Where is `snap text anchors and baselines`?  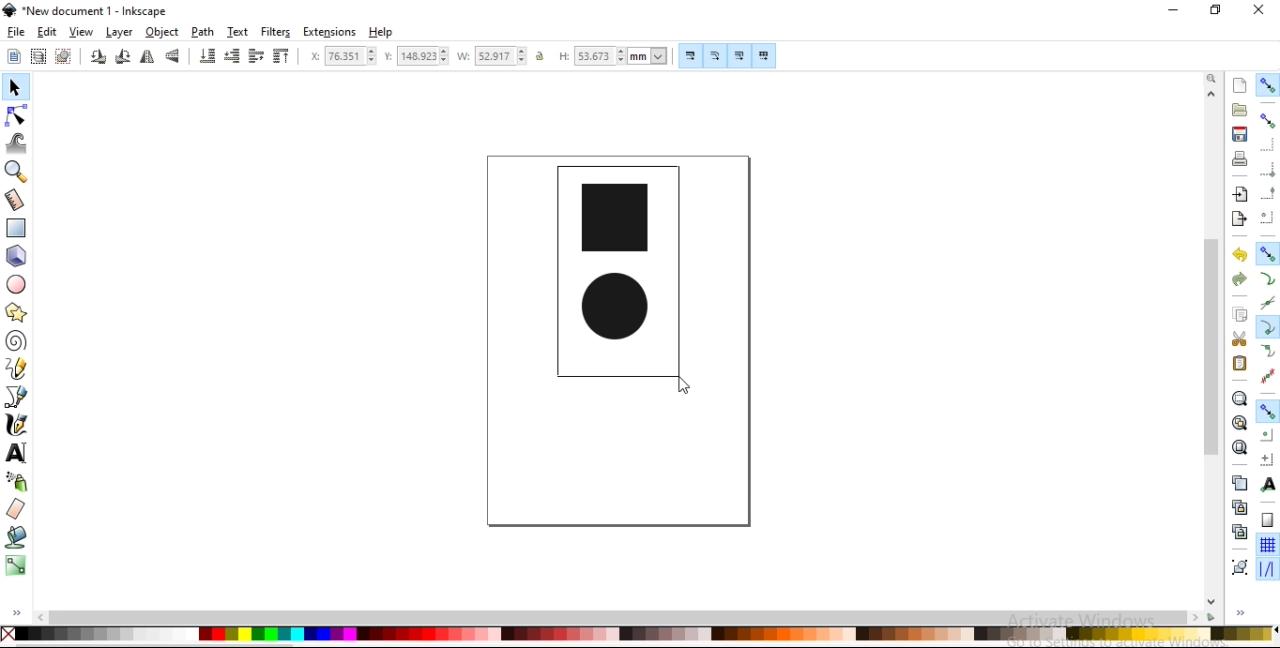
snap text anchors and baselines is located at coordinates (1268, 483).